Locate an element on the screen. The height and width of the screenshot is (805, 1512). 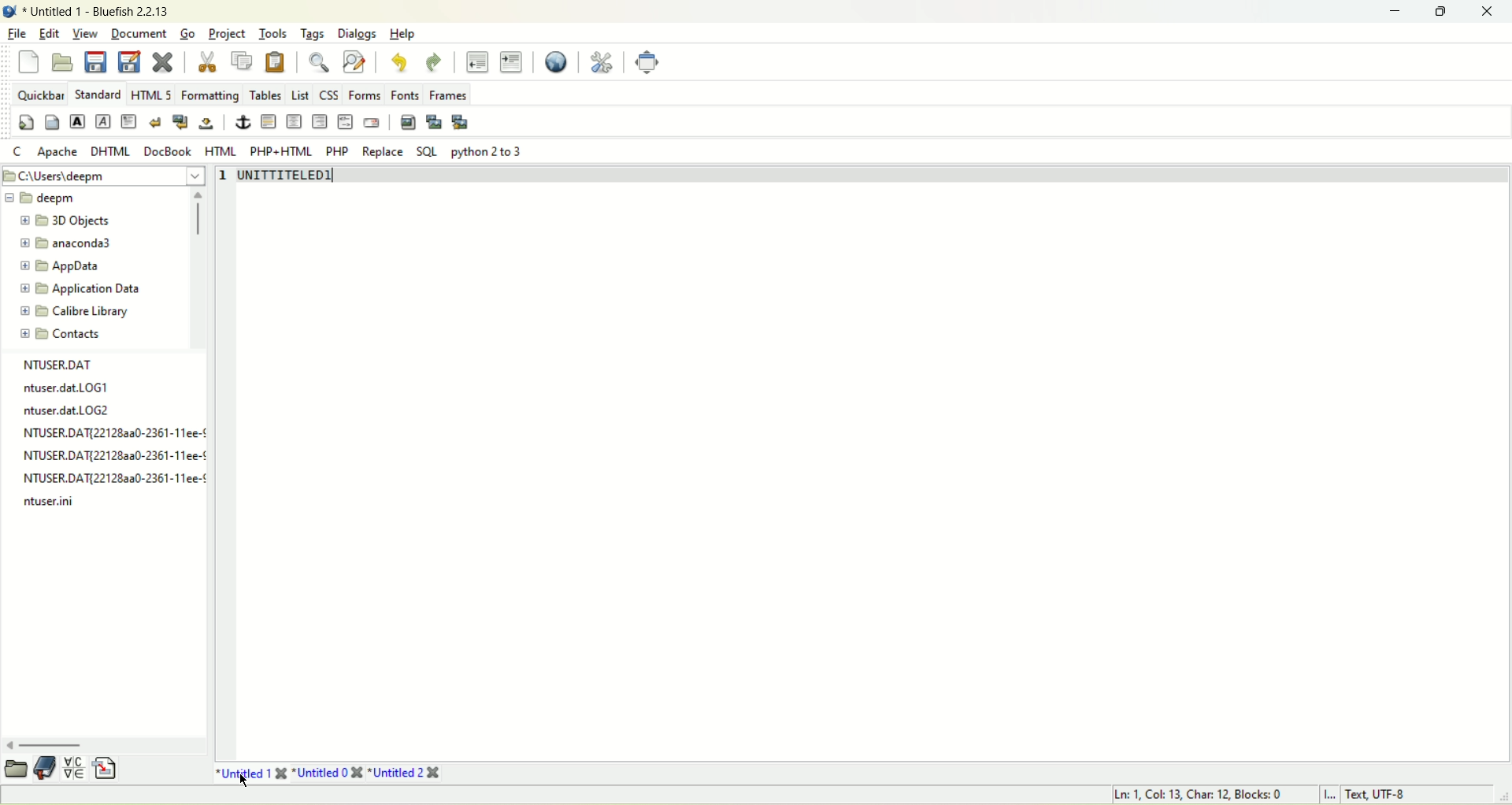
CSS is located at coordinates (331, 93).